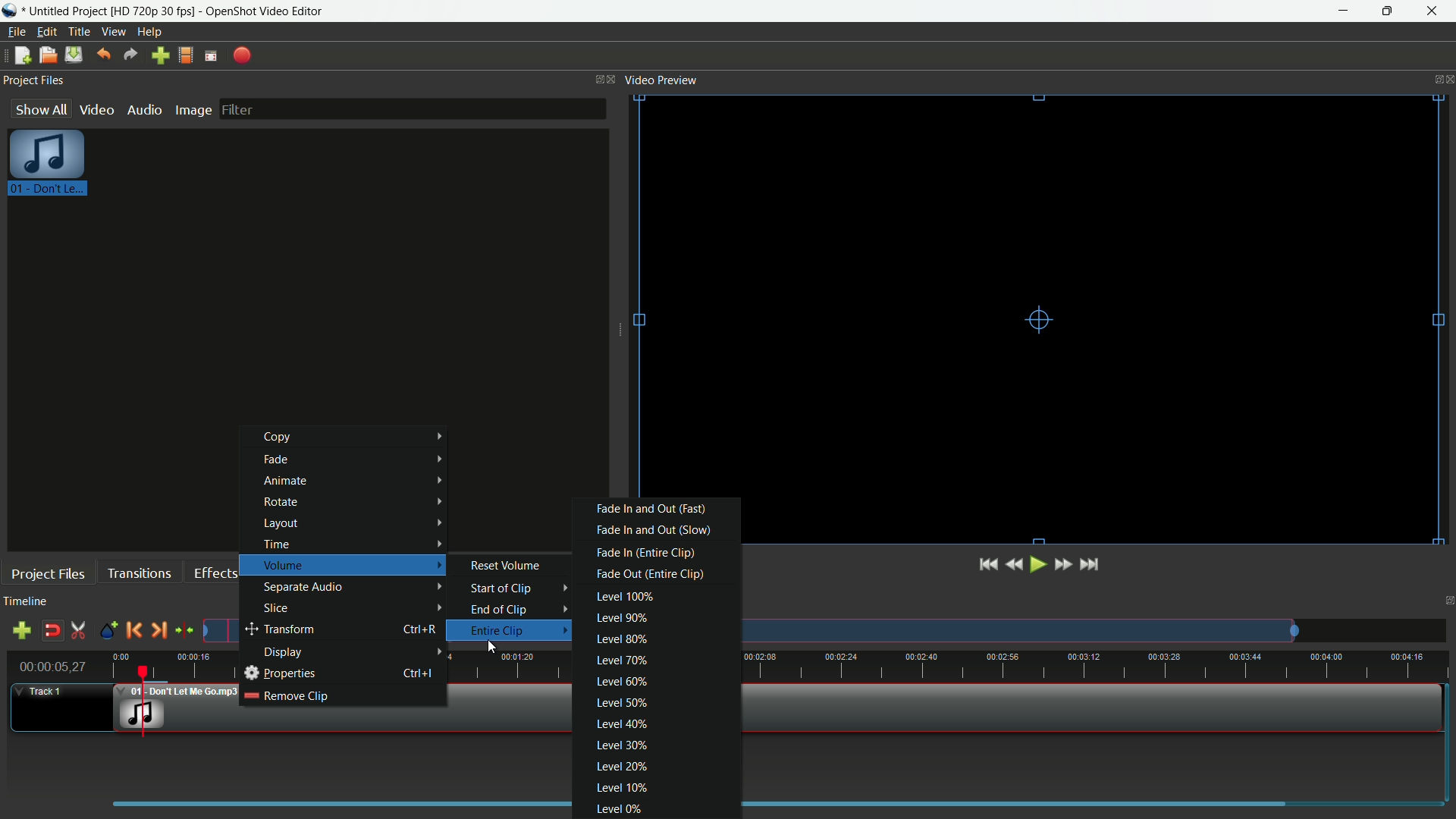 The width and height of the screenshot is (1456, 819). What do you see at coordinates (21, 630) in the screenshot?
I see `add track` at bounding box center [21, 630].